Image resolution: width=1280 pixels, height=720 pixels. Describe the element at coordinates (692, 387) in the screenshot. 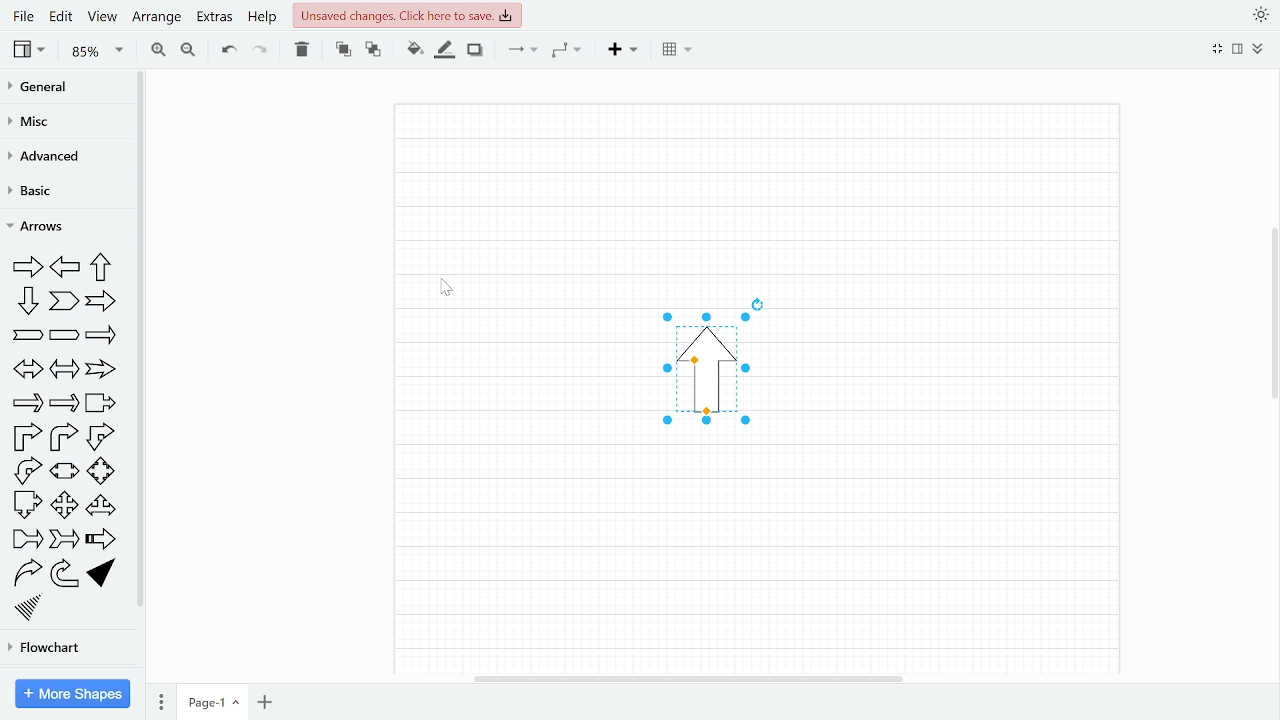

I see `Arrow up added in the canvas` at that location.